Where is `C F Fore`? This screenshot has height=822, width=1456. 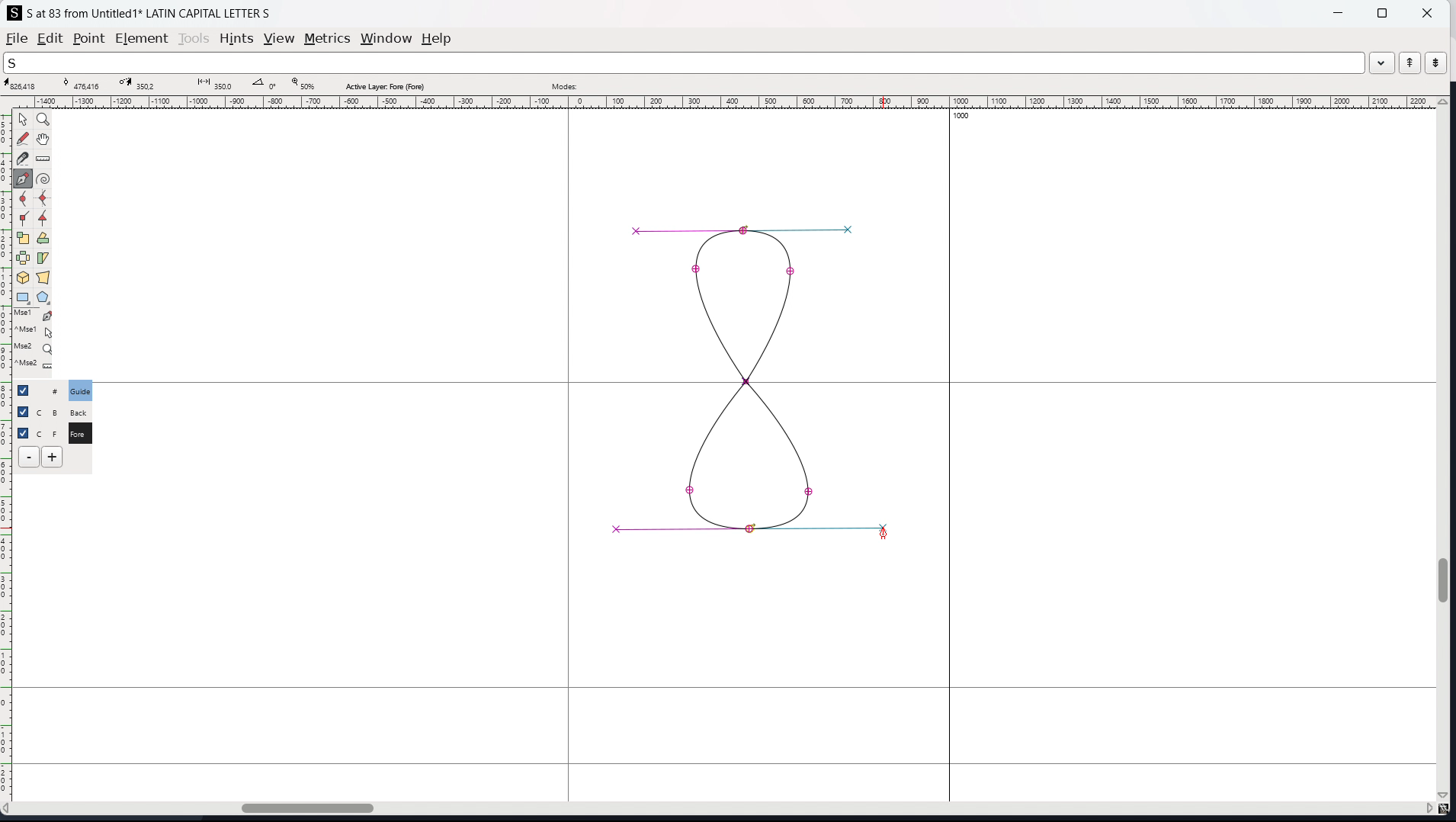
C F Fore is located at coordinates (79, 432).